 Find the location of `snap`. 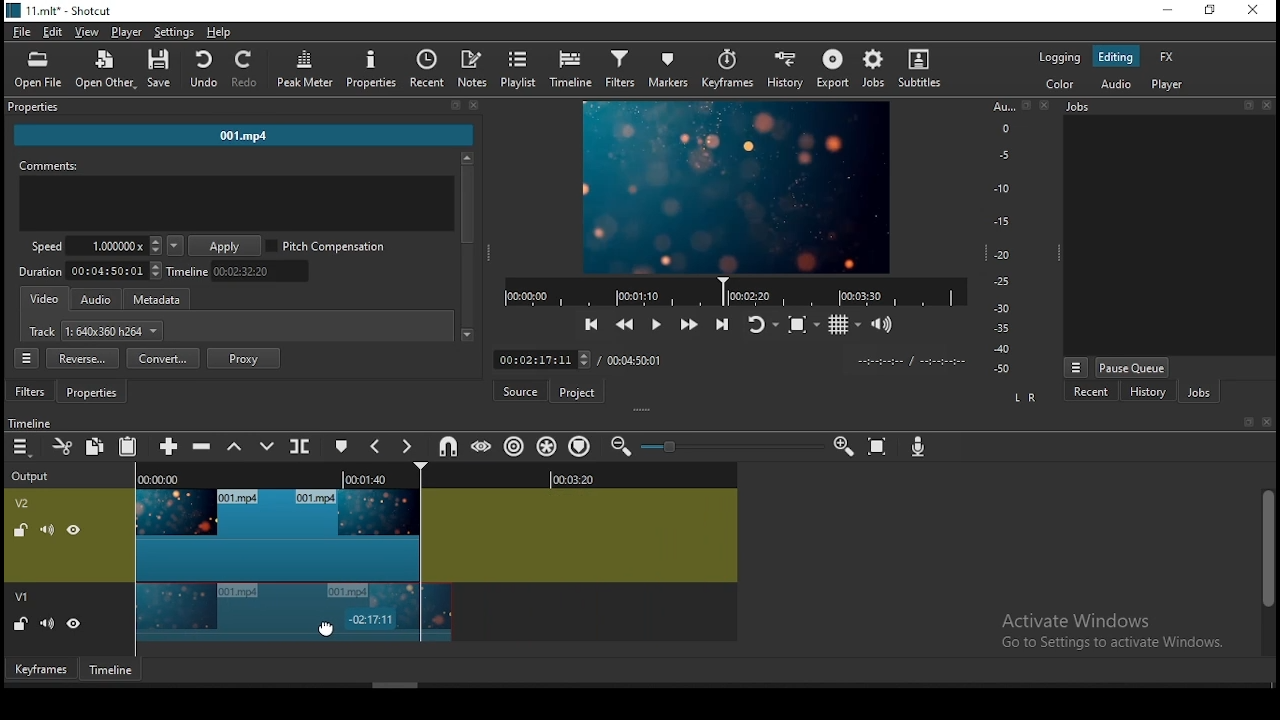

snap is located at coordinates (447, 447).